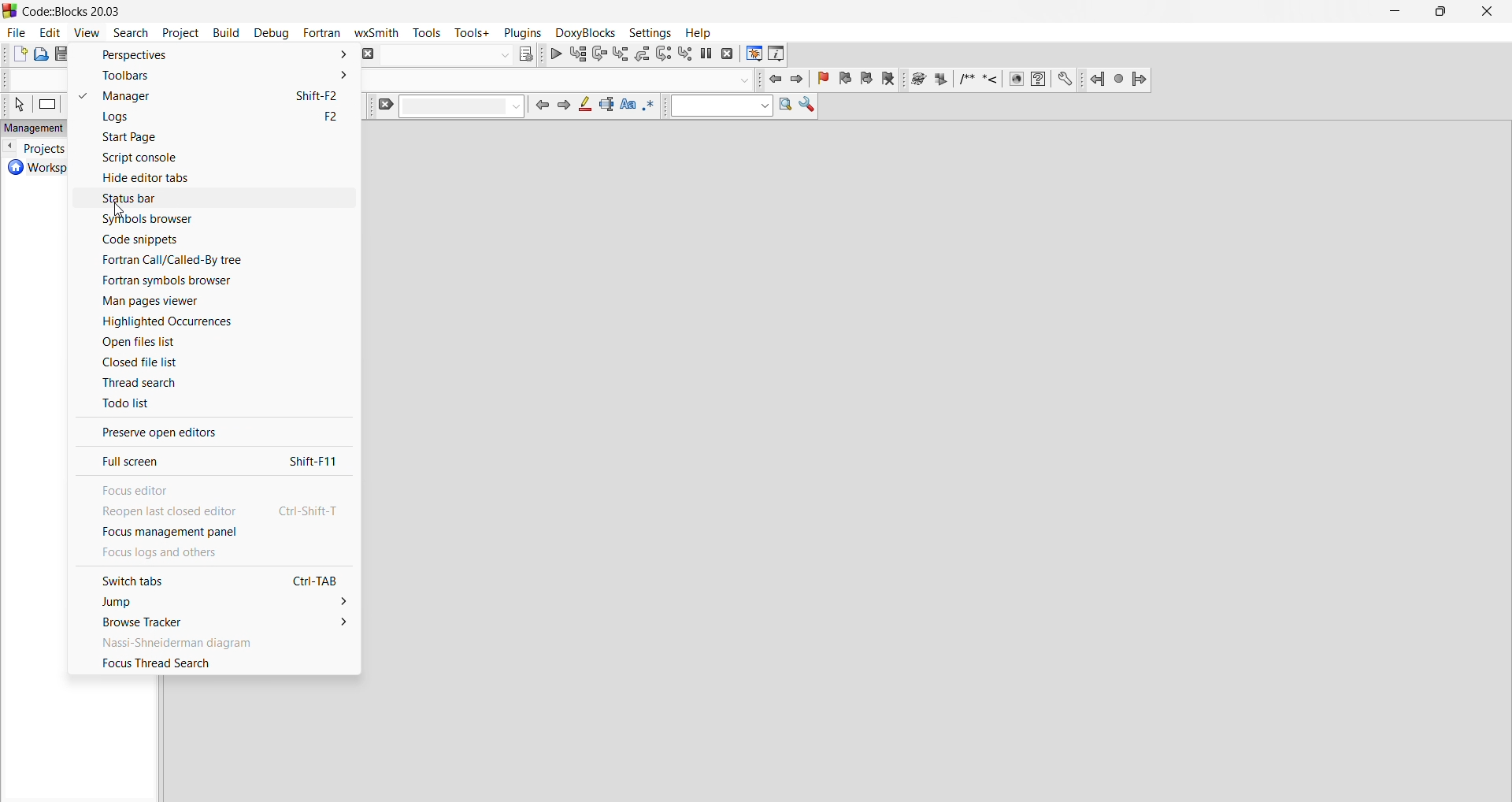 The image size is (1512, 802). Describe the element at coordinates (458, 56) in the screenshot. I see `show the select target dialog` at that location.